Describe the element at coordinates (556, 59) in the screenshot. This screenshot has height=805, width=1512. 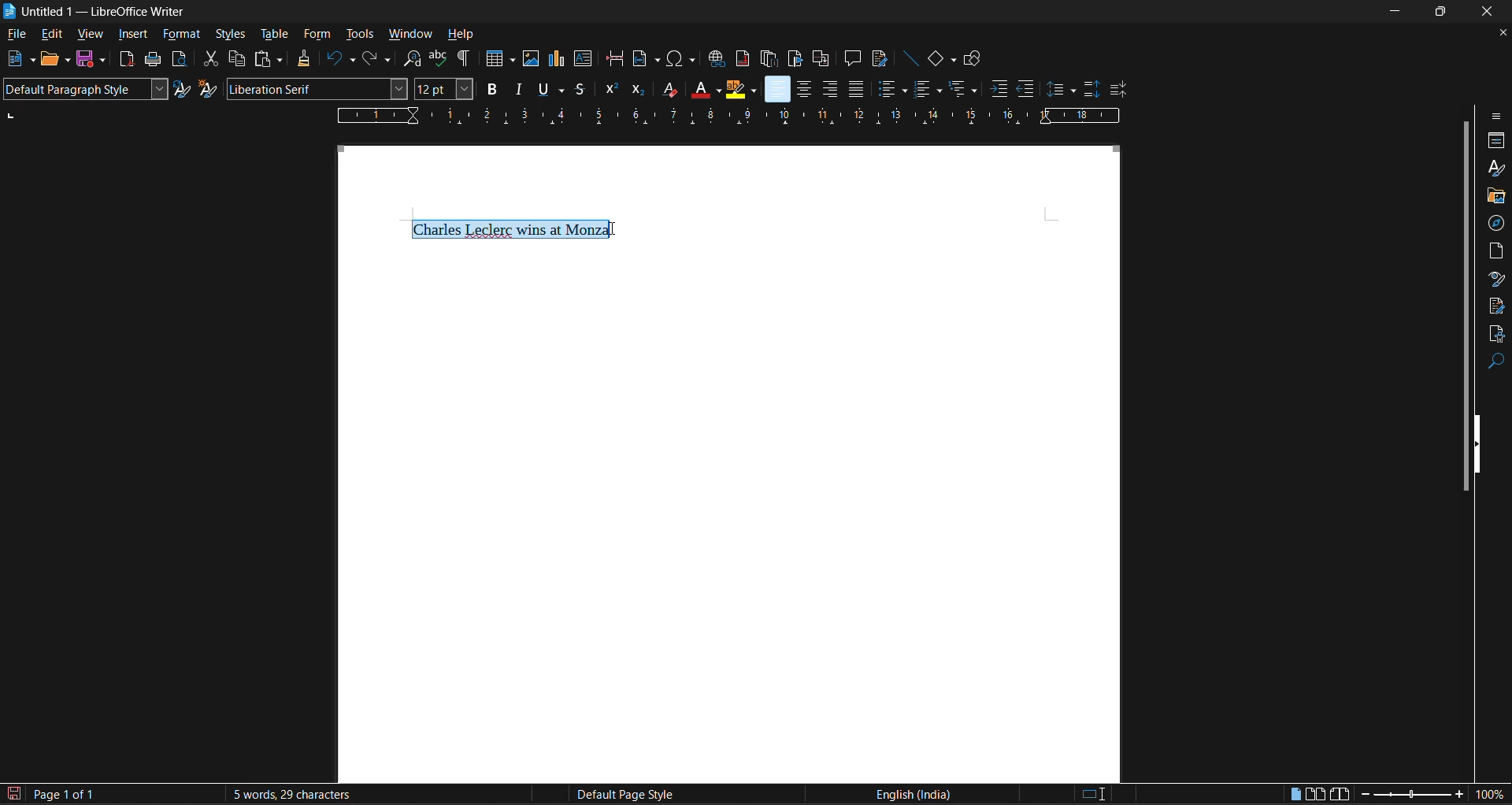
I see `insert chart` at that location.